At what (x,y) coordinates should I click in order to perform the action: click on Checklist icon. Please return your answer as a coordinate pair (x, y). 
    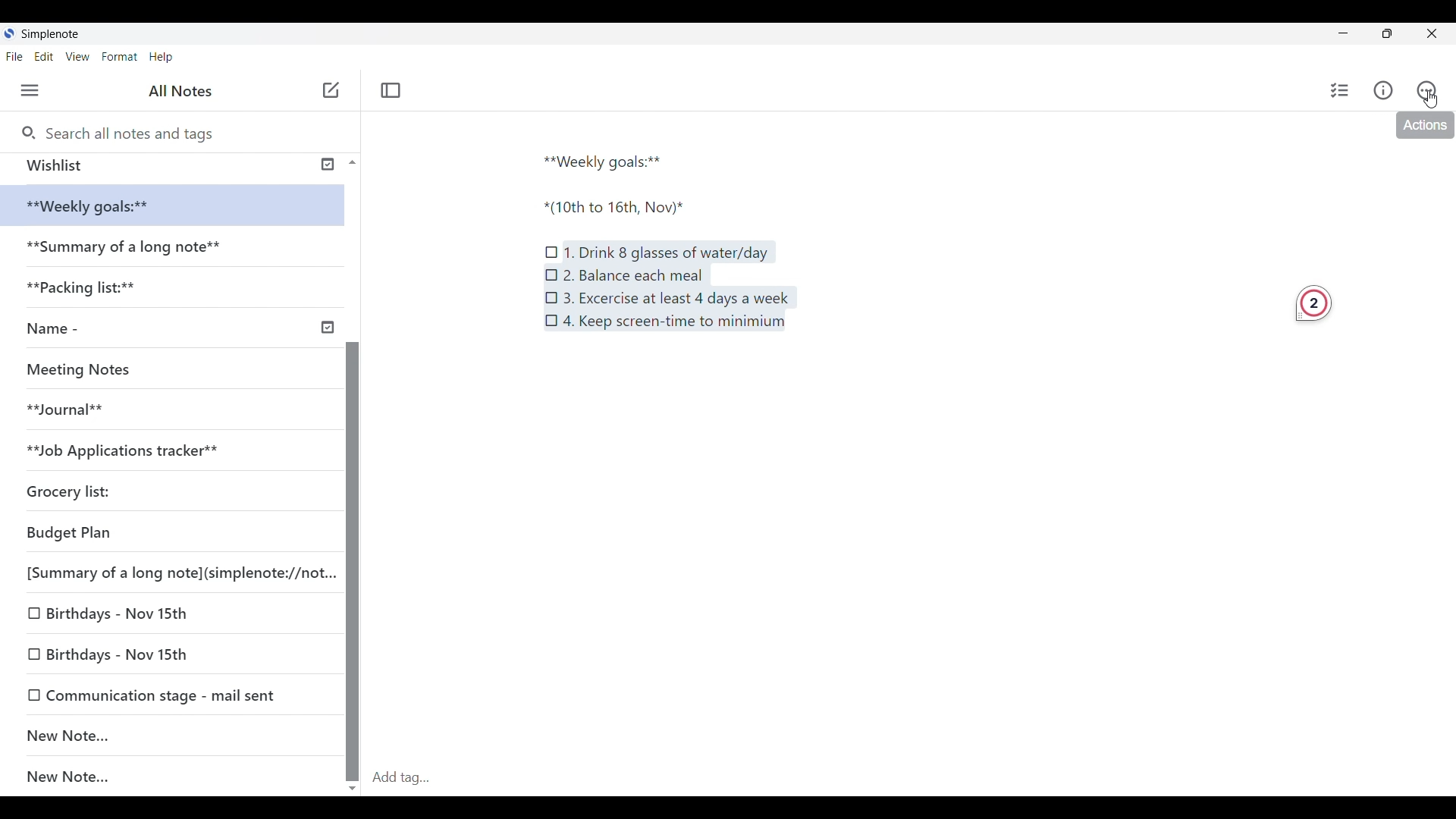
    Looking at the image, I should click on (552, 296).